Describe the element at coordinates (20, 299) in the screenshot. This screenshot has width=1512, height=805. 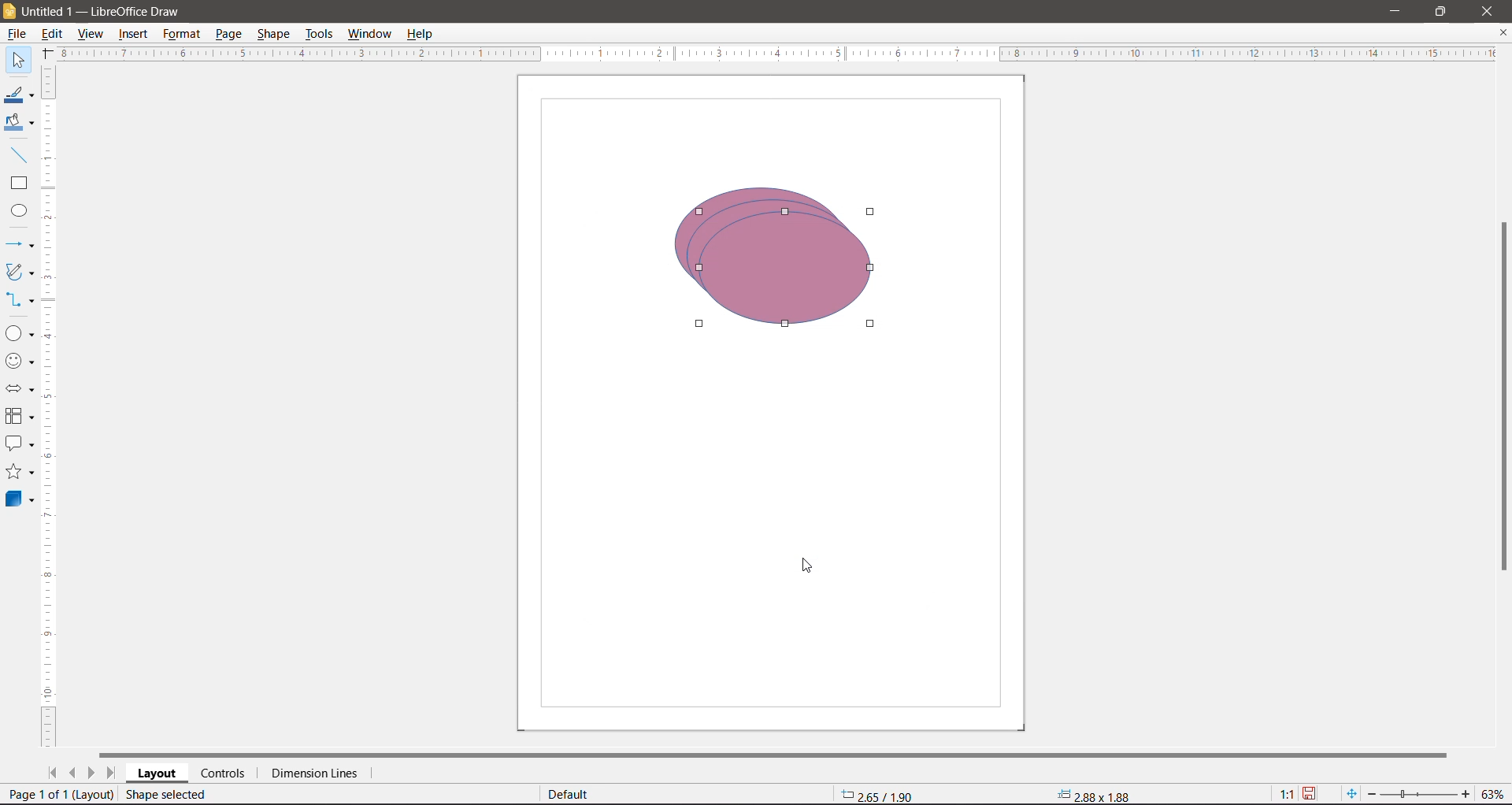
I see `Connectors` at that location.